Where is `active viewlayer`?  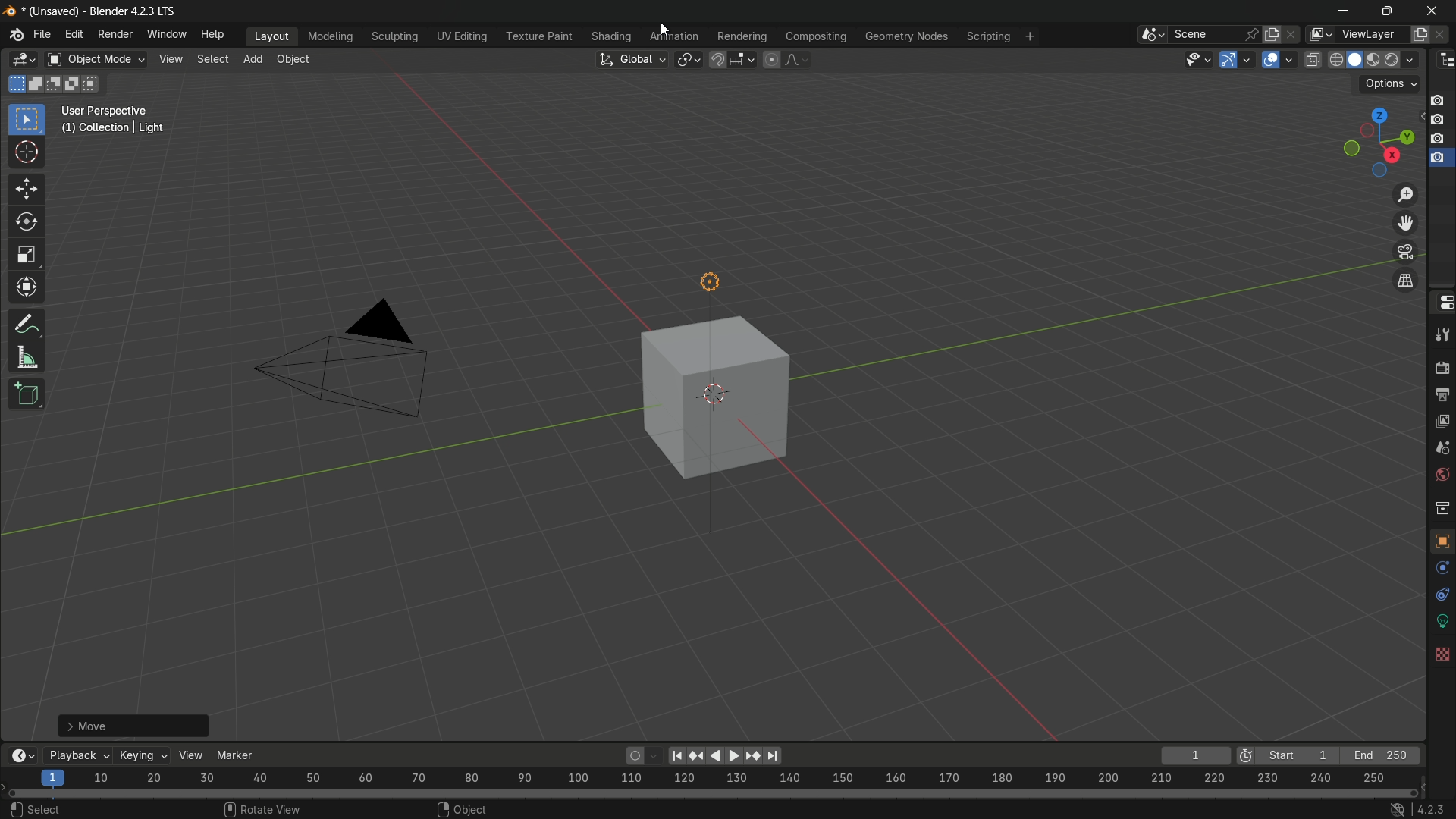 active viewlayer is located at coordinates (1318, 35).